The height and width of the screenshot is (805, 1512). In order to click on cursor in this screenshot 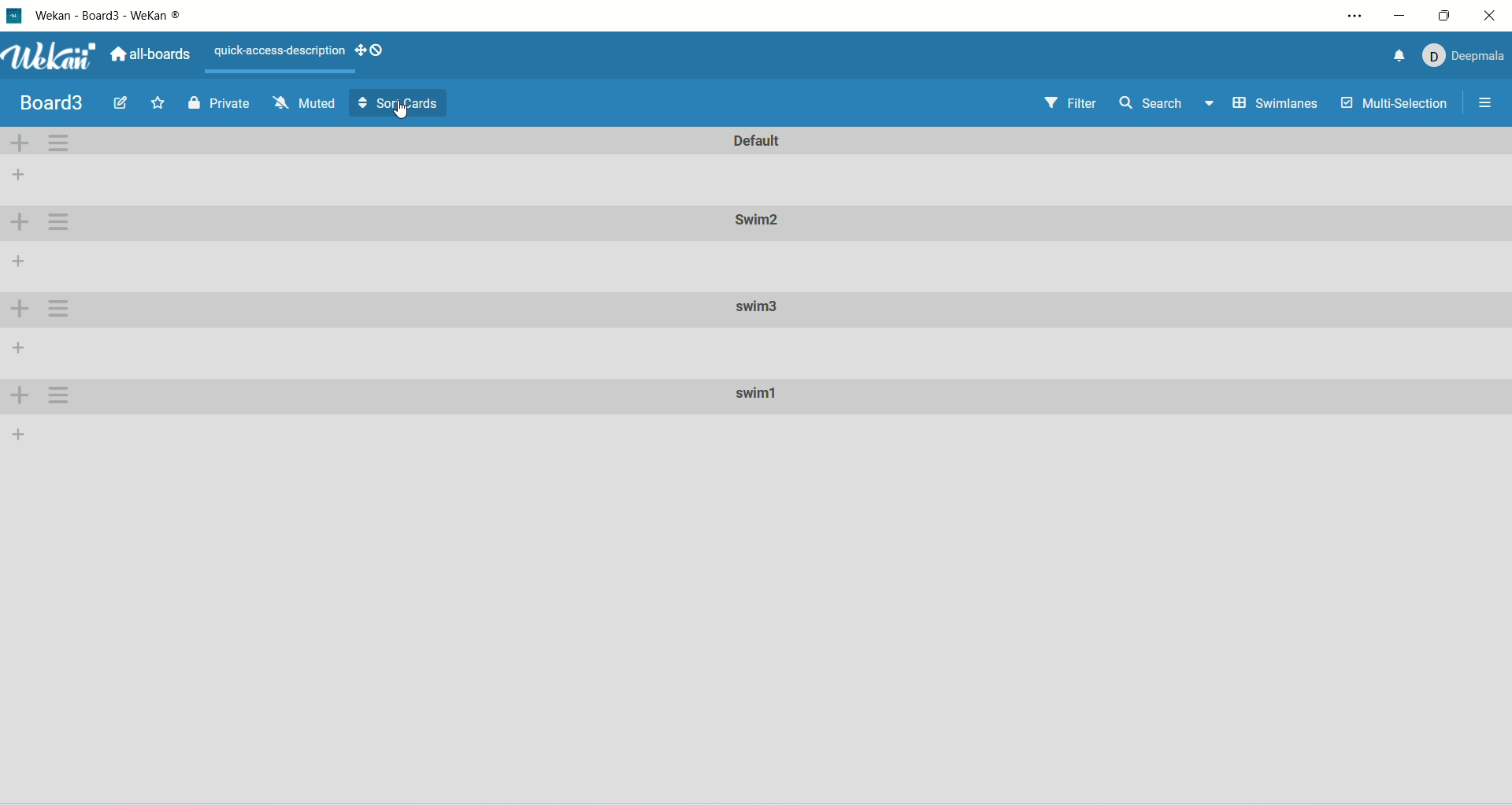, I will do `click(401, 109)`.